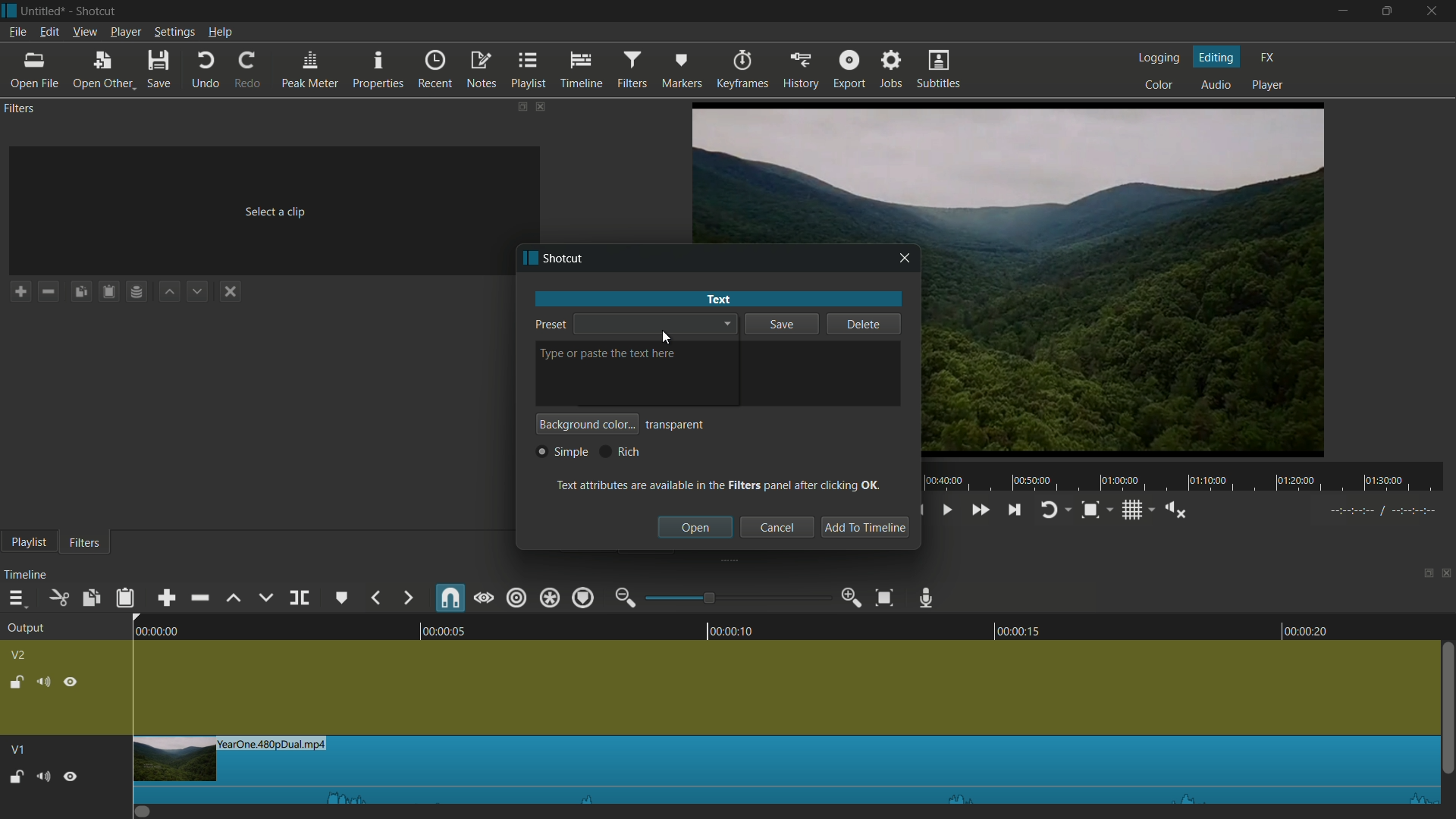 The width and height of the screenshot is (1456, 819). Describe the element at coordinates (1162, 86) in the screenshot. I see `color` at that location.